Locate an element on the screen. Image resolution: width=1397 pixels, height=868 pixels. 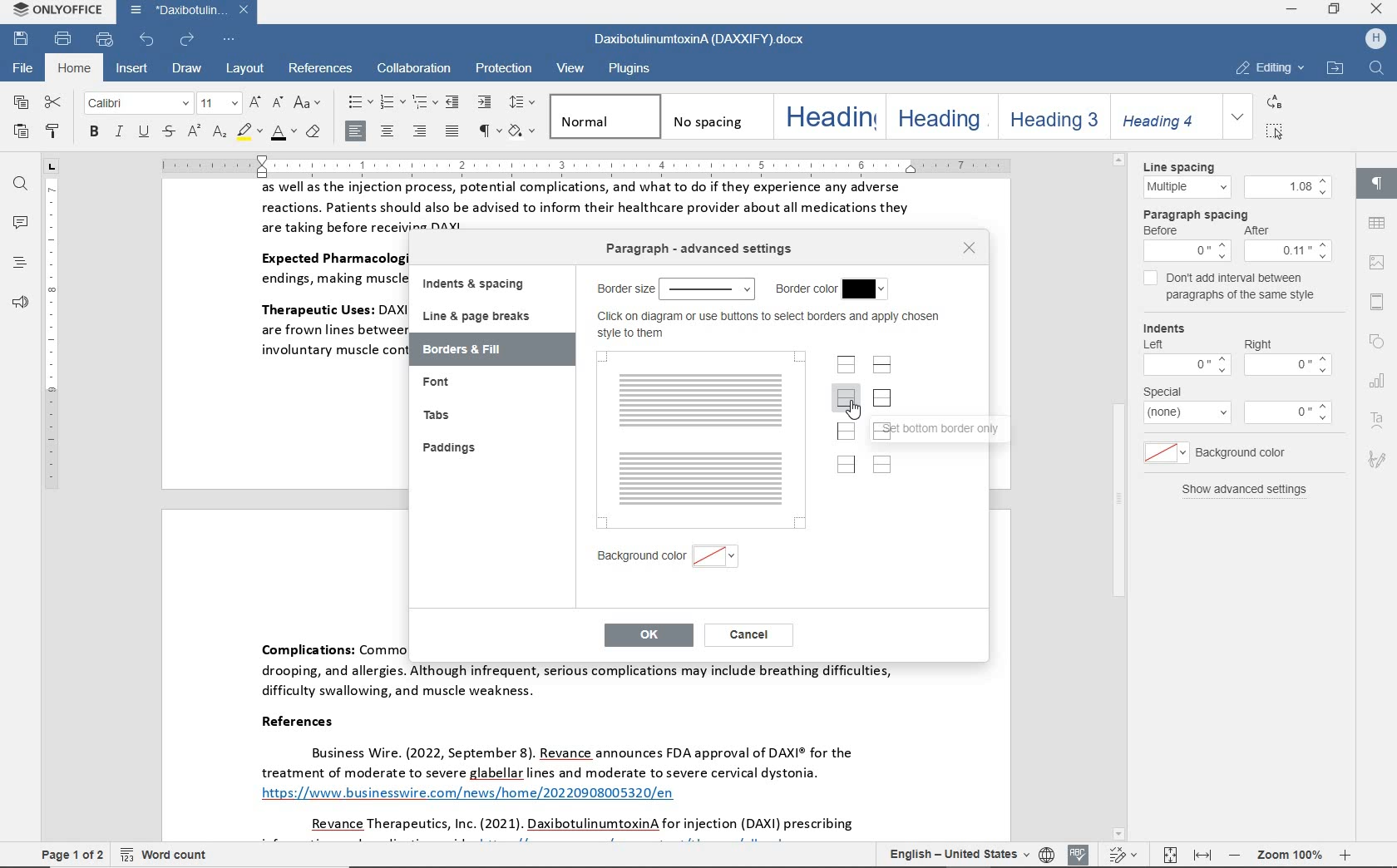
replace is located at coordinates (1272, 101).